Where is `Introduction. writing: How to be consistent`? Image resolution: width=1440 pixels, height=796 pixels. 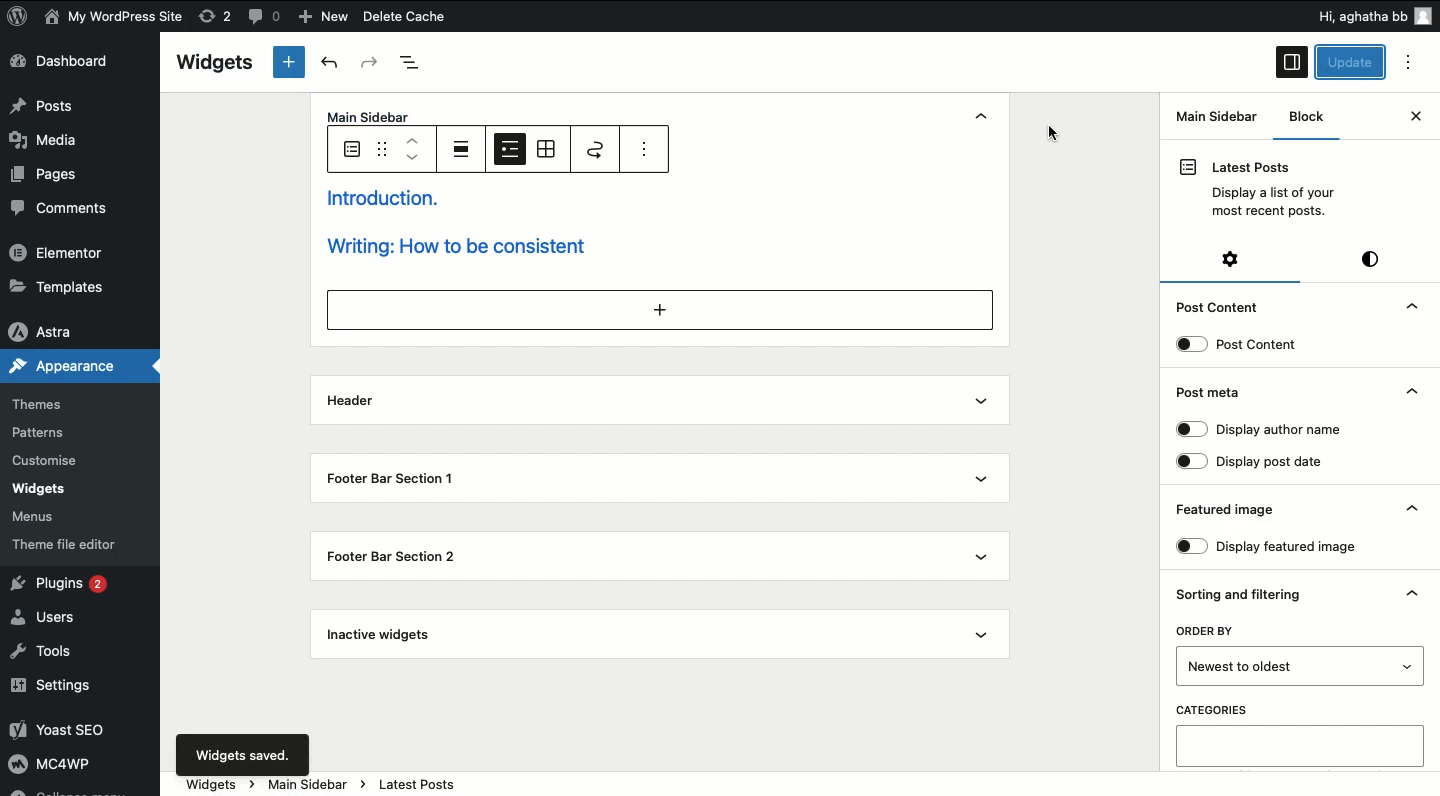
Introduction. writing: How to be consistent is located at coordinates (630, 220).